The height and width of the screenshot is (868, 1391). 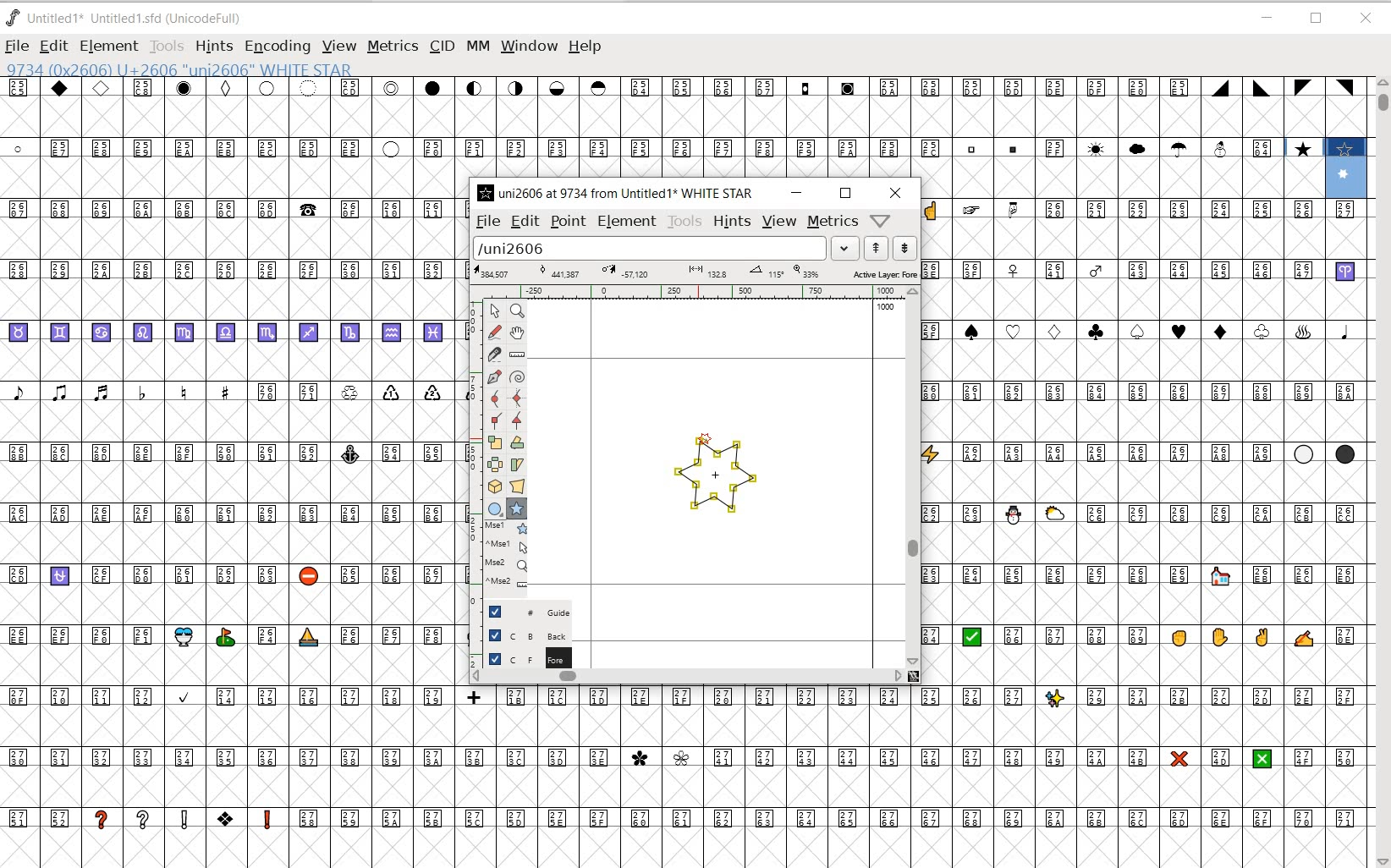 What do you see at coordinates (518, 486) in the screenshot?
I see `PERFORM A PERSPECTIVE TRANSFORMATION ON THE SELECTION` at bounding box center [518, 486].